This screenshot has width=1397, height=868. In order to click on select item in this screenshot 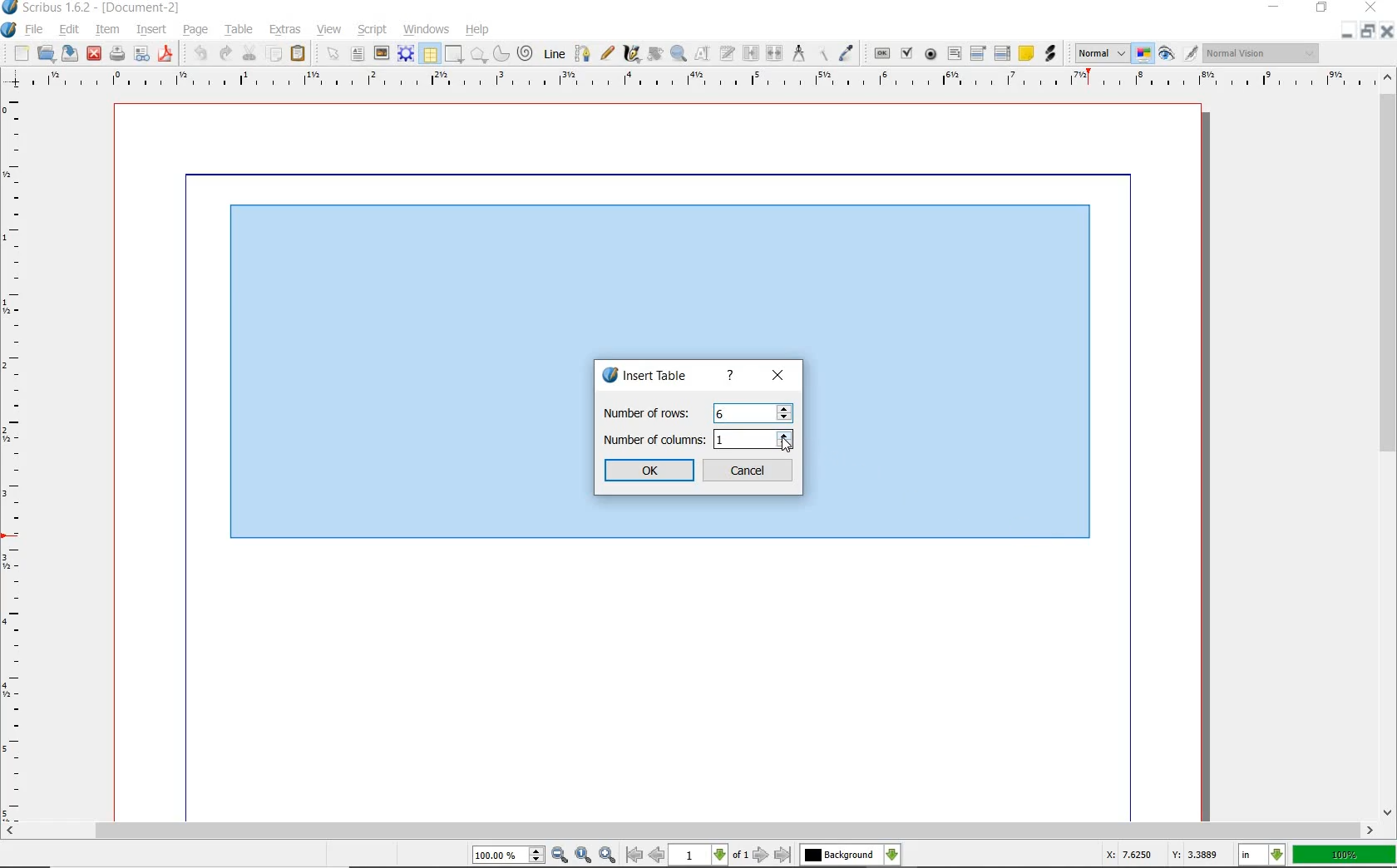, I will do `click(332, 52)`.